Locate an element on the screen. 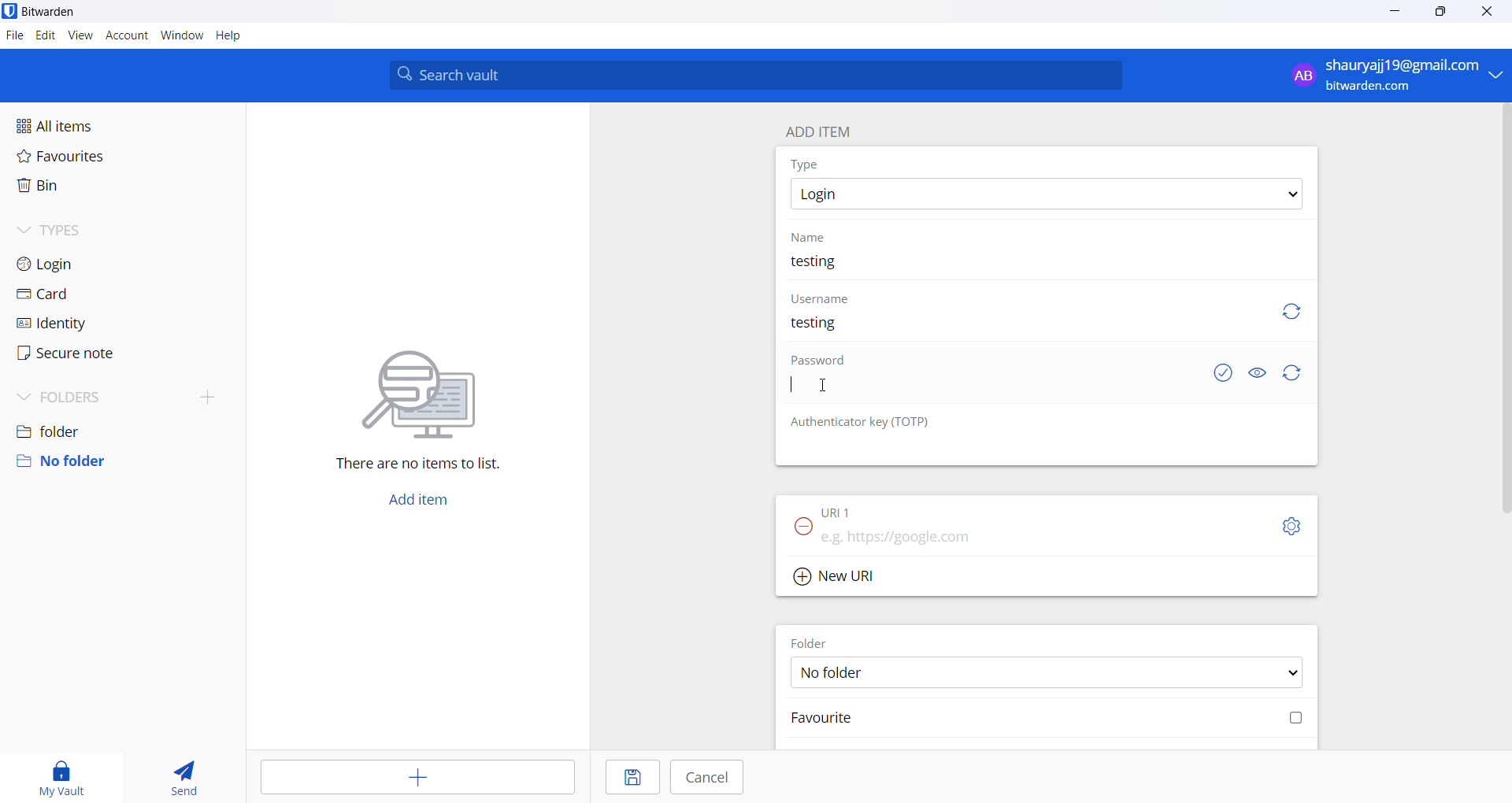 This screenshot has width=1512, height=803. URL setting is located at coordinates (1284, 525).